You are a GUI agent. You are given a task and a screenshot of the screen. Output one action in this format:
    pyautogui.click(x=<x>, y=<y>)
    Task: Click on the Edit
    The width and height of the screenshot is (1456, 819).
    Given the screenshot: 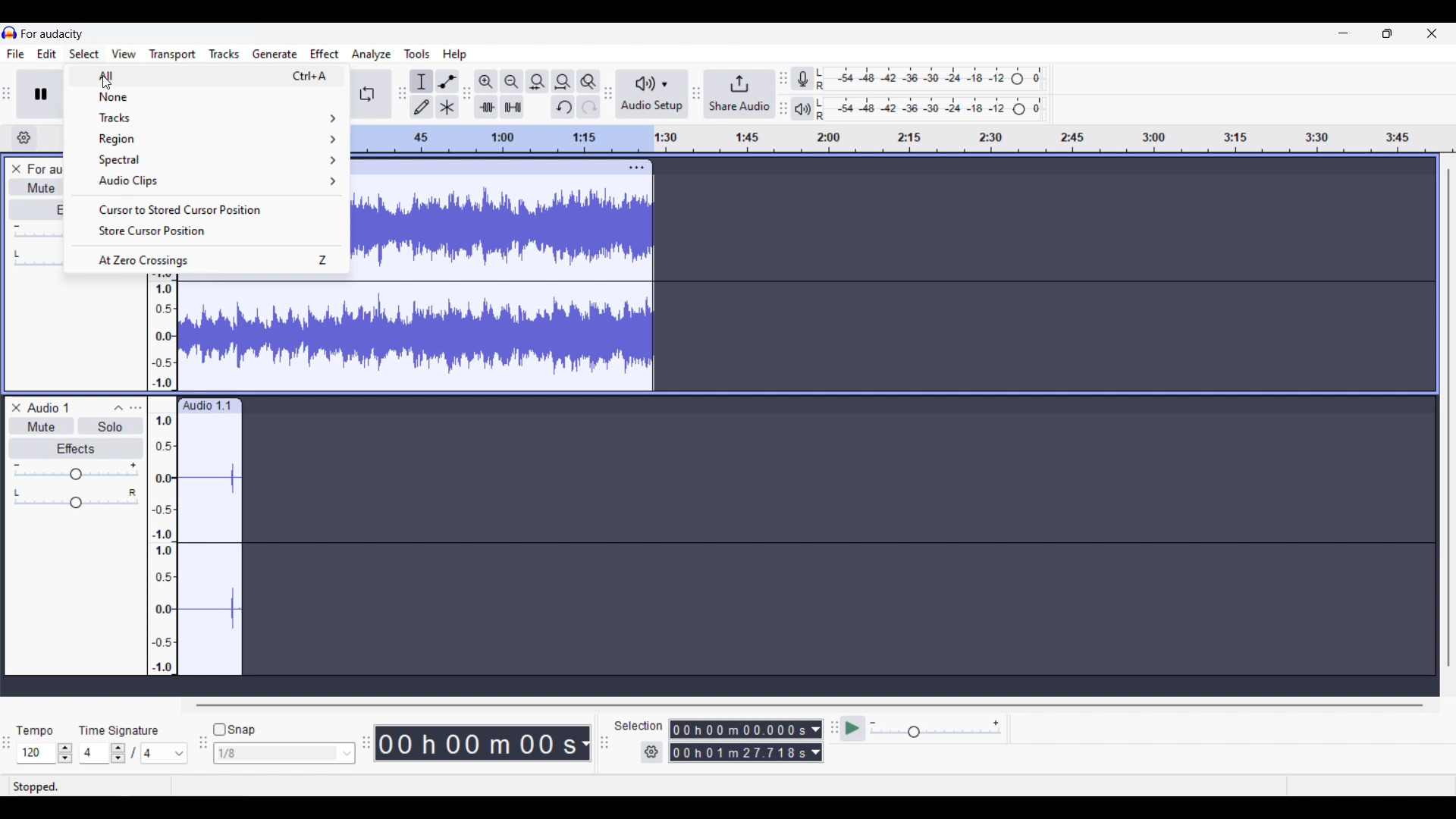 What is the action you would take?
    pyautogui.click(x=47, y=54)
    